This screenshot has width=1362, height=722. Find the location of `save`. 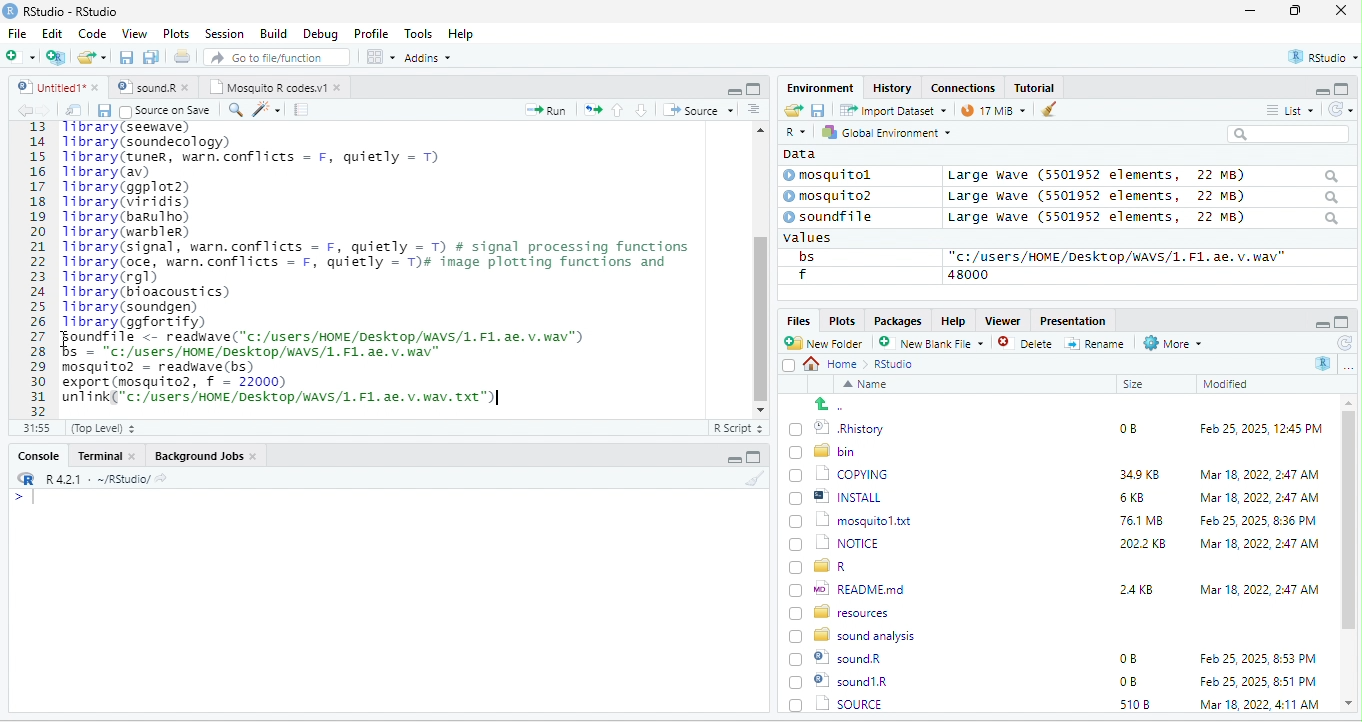

save is located at coordinates (128, 58).